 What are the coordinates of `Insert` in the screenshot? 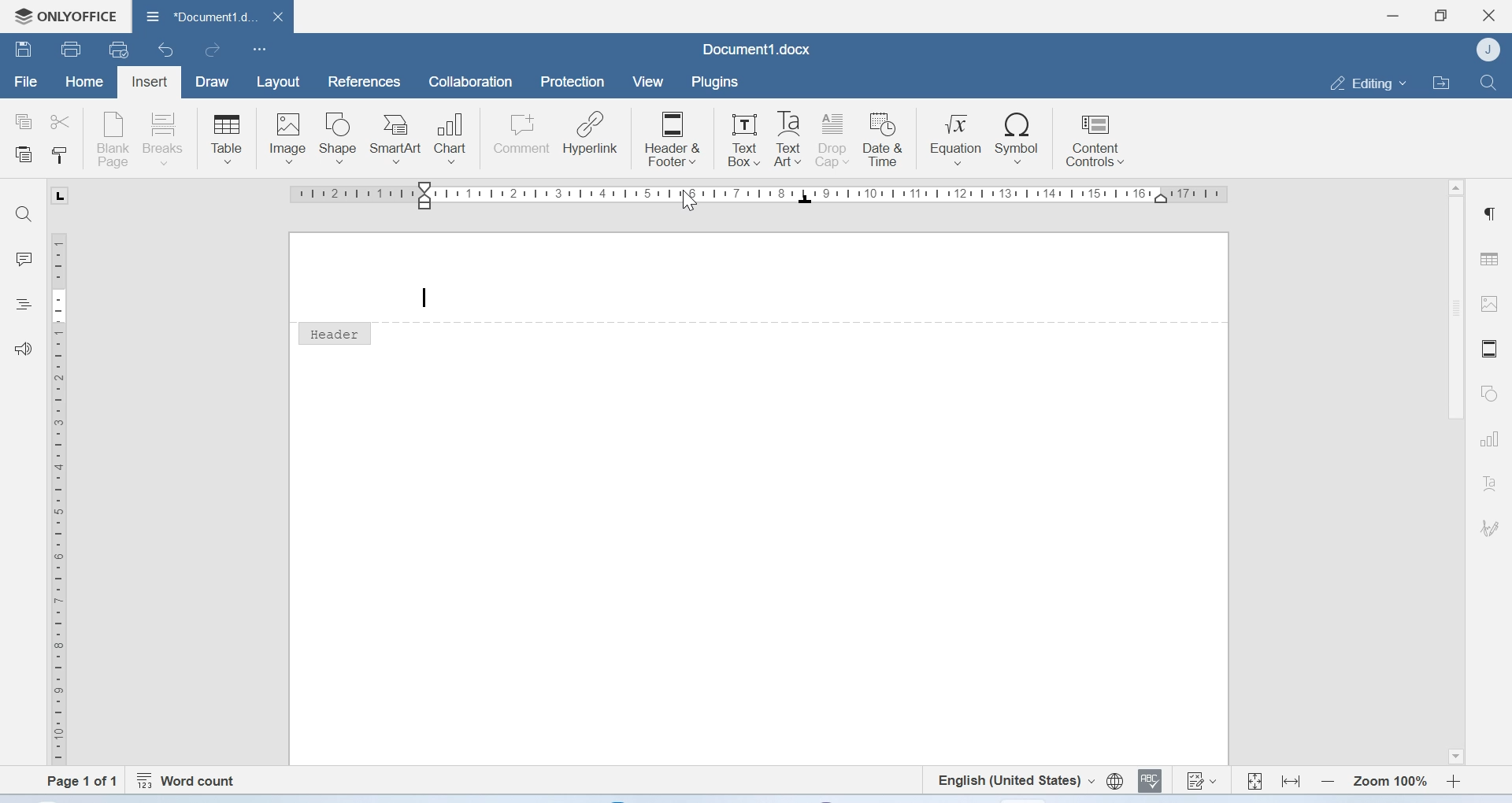 It's located at (150, 80).